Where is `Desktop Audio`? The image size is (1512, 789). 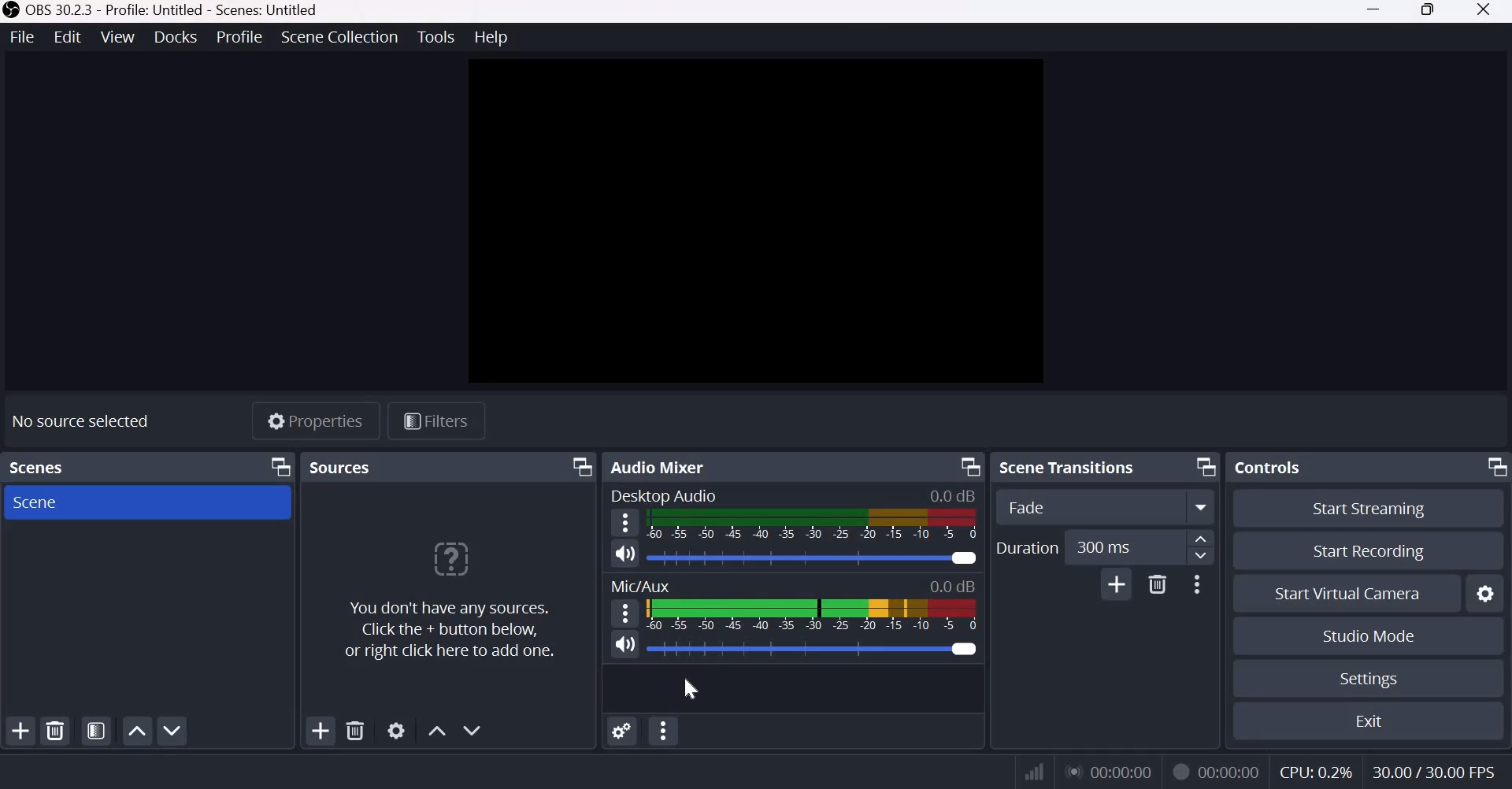
Desktop Audio is located at coordinates (663, 496).